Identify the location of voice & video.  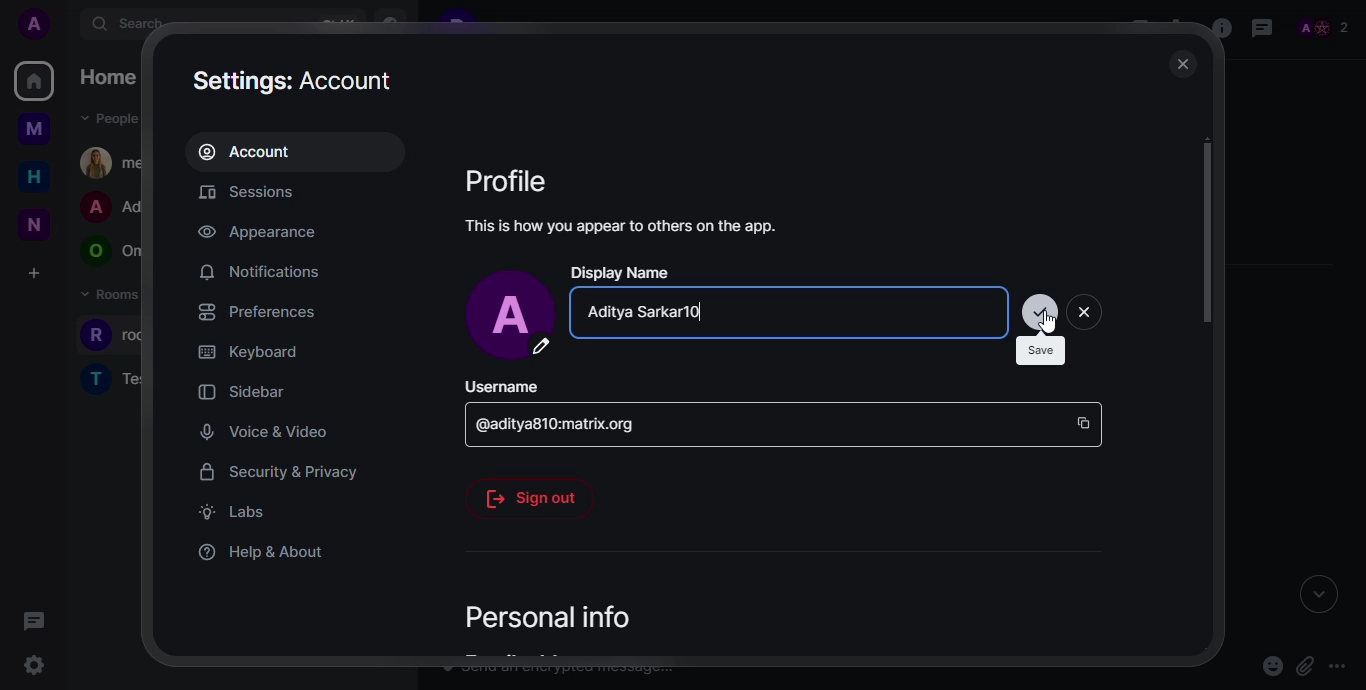
(258, 431).